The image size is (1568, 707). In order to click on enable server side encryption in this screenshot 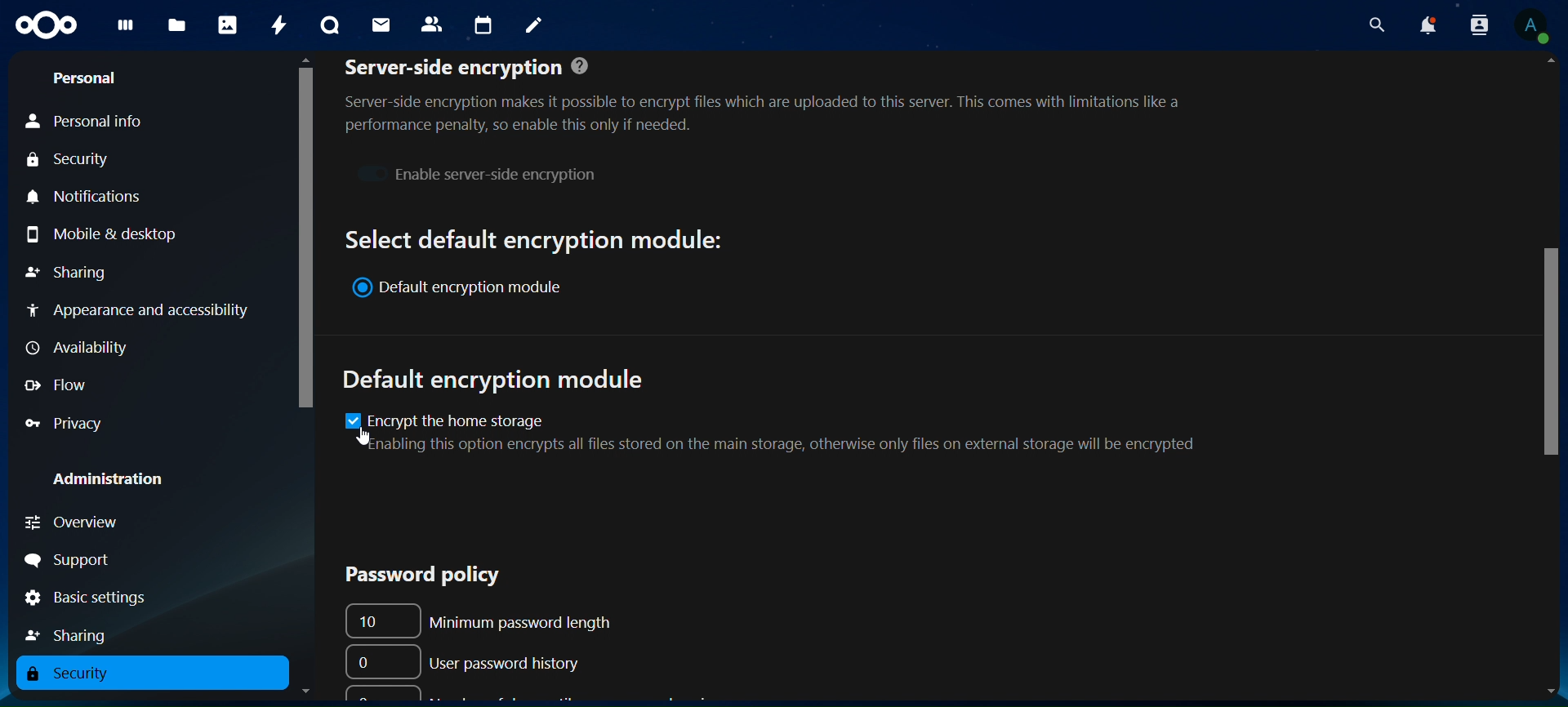, I will do `click(475, 172)`.